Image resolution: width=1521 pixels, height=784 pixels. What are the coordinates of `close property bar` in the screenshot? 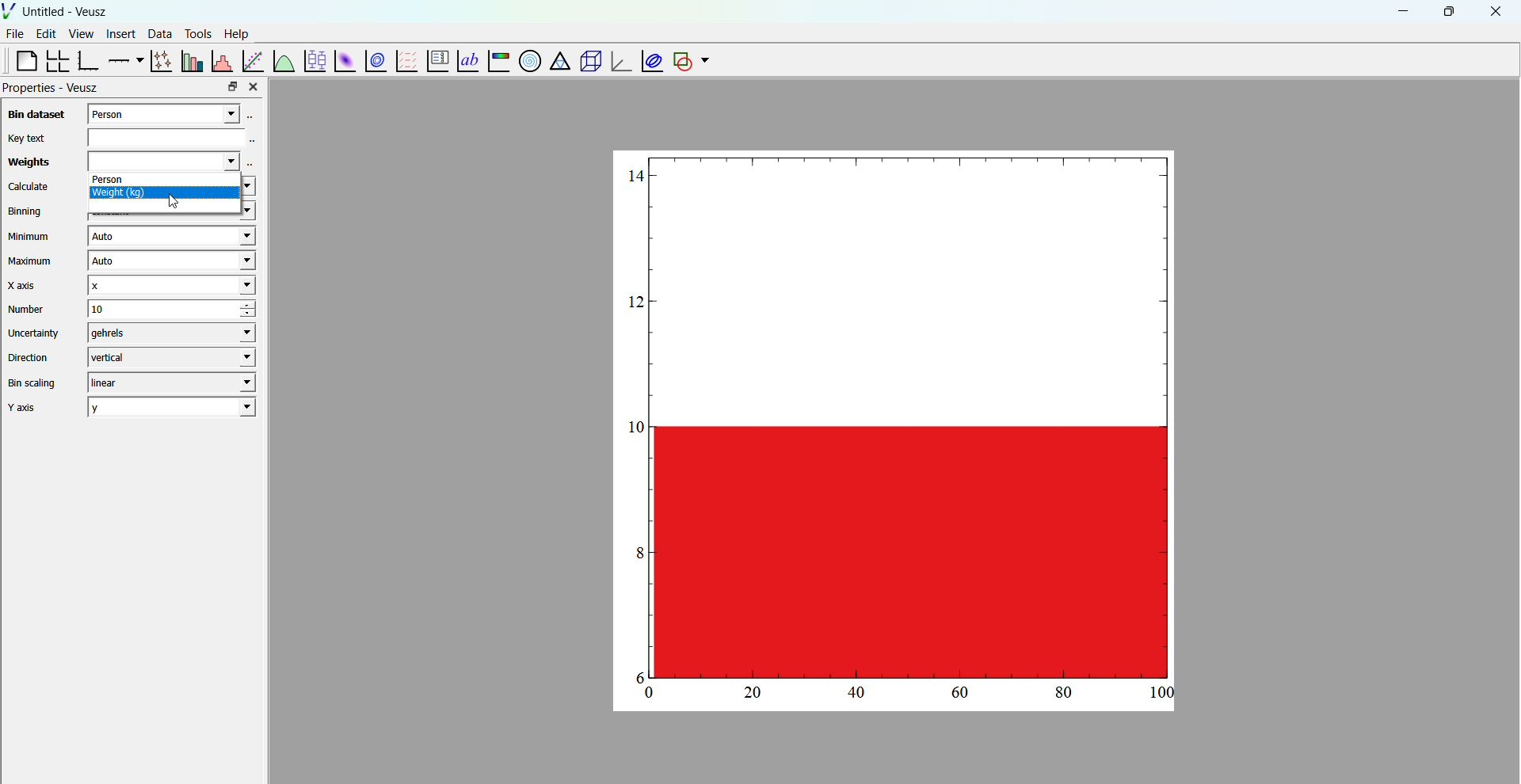 It's located at (255, 86).